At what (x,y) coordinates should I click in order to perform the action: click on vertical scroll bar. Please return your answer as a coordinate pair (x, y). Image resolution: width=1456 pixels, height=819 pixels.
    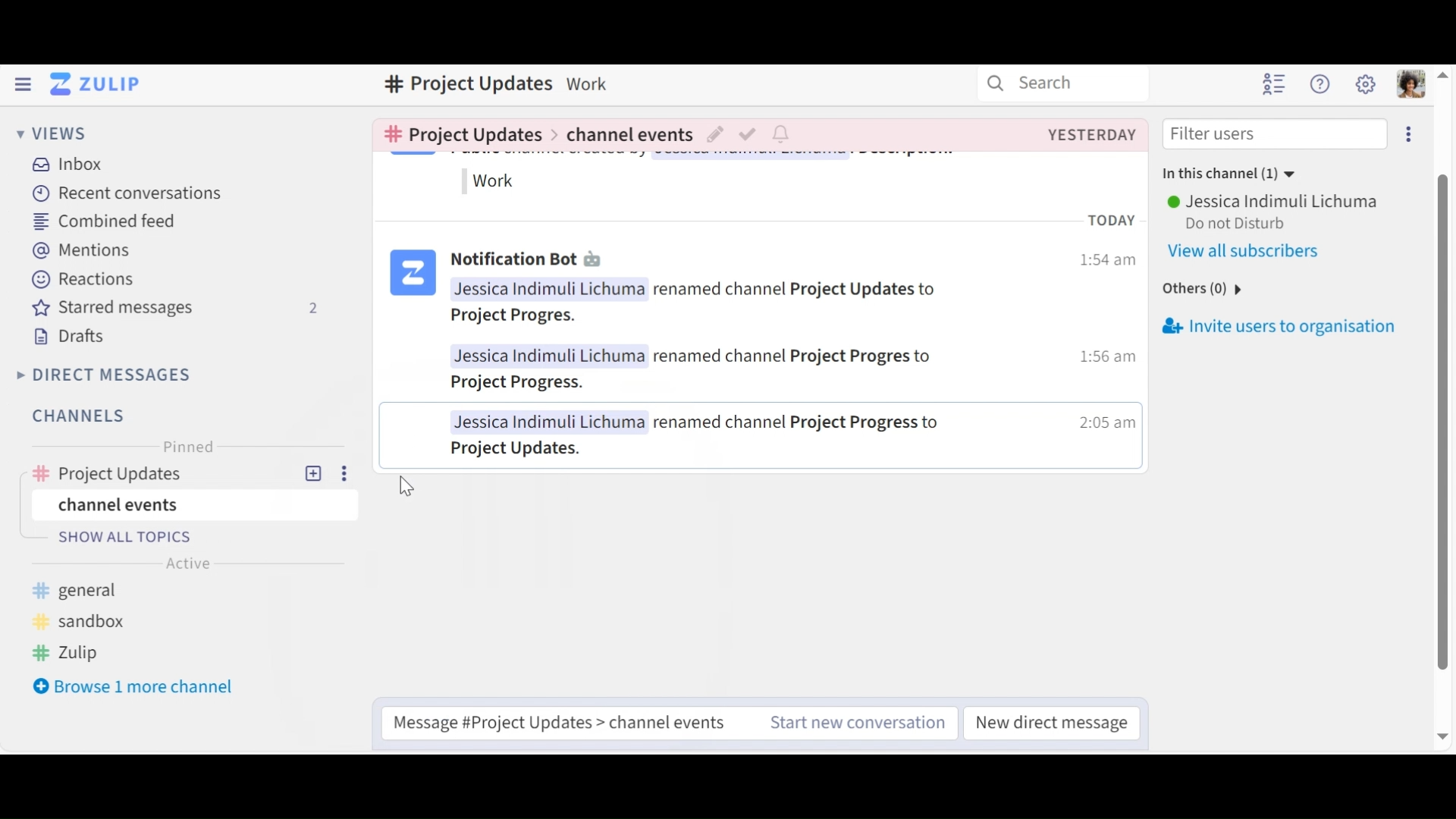
    Looking at the image, I should click on (1446, 422).